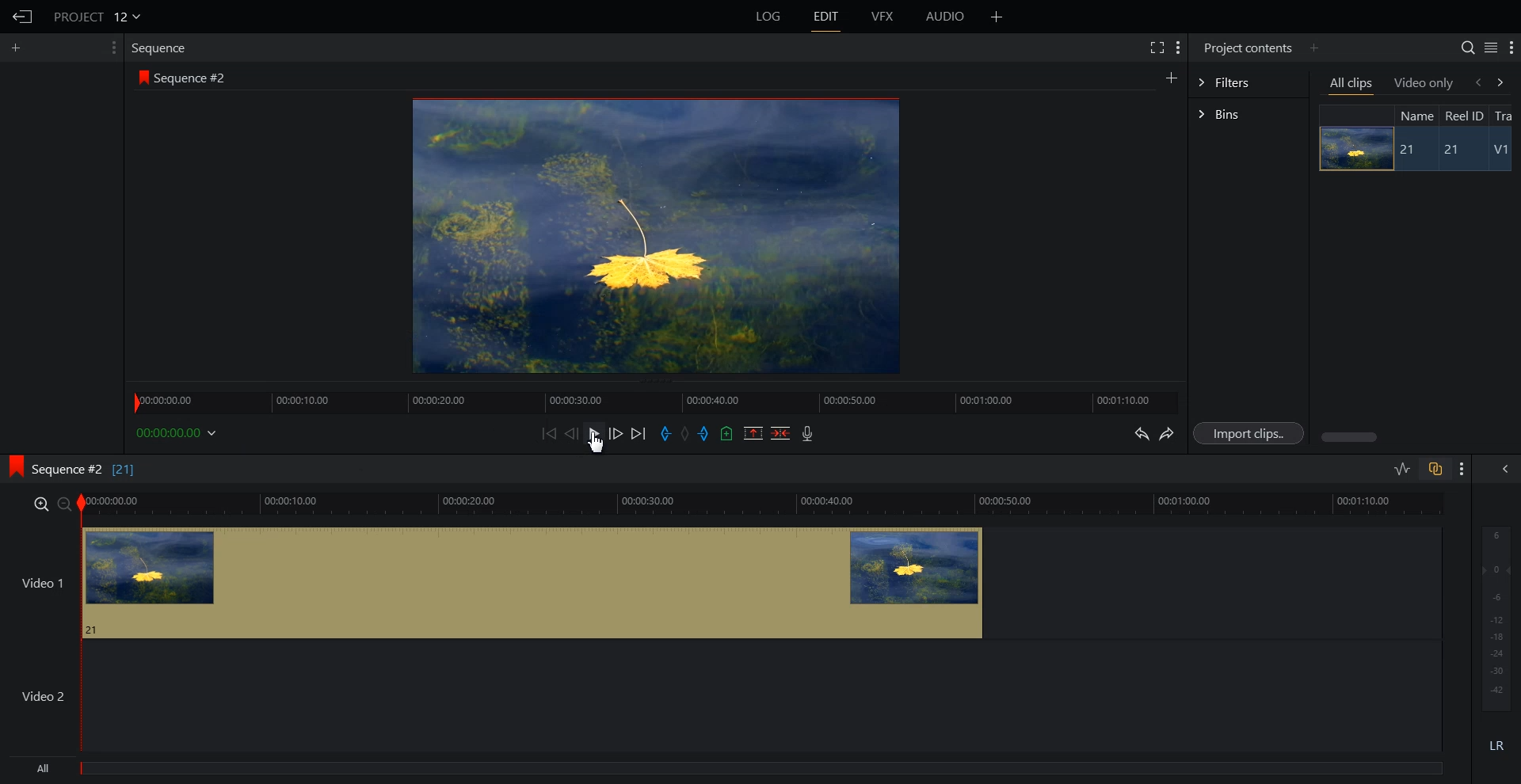 The height and width of the screenshot is (784, 1521). Describe the element at coordinates (112, 48) in the screenshot. I see `Show setting menu` at that location.